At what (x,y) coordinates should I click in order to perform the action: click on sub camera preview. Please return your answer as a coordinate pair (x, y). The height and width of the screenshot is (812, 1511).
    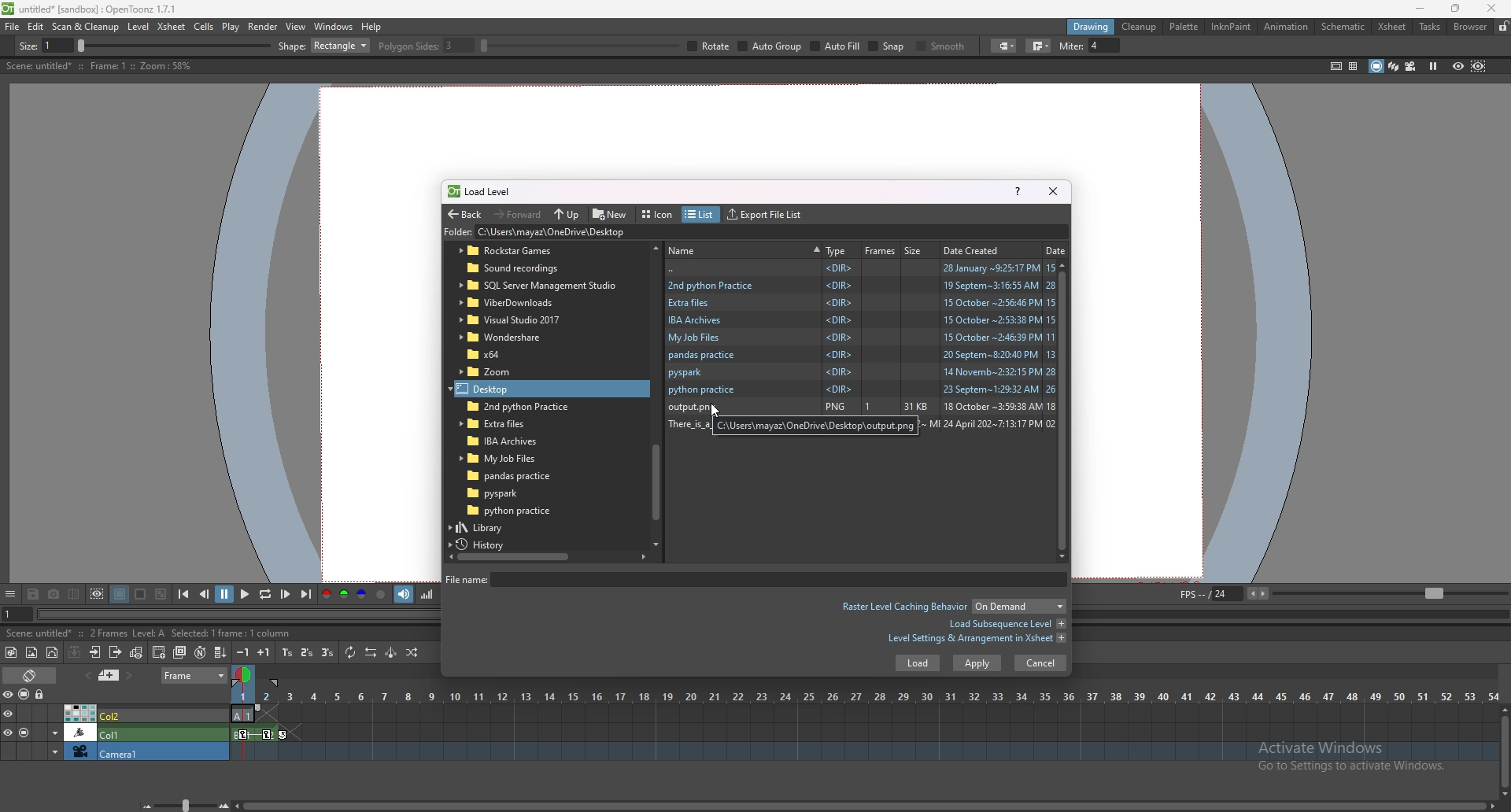
    Looking at the image, I should click on (1479, 65).